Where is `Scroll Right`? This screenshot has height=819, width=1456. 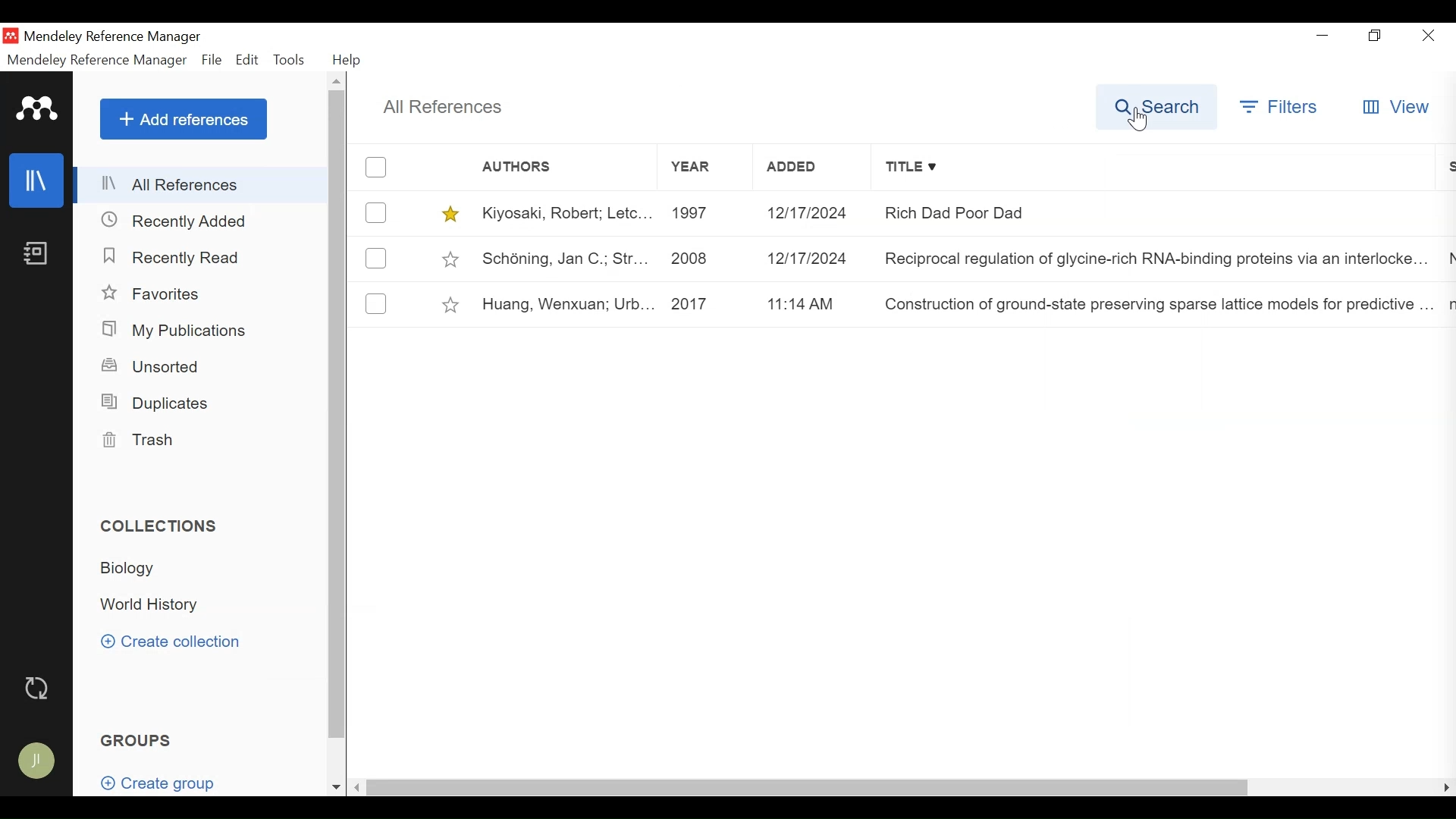
Scroll Right is located at coordinates (1444, 789).